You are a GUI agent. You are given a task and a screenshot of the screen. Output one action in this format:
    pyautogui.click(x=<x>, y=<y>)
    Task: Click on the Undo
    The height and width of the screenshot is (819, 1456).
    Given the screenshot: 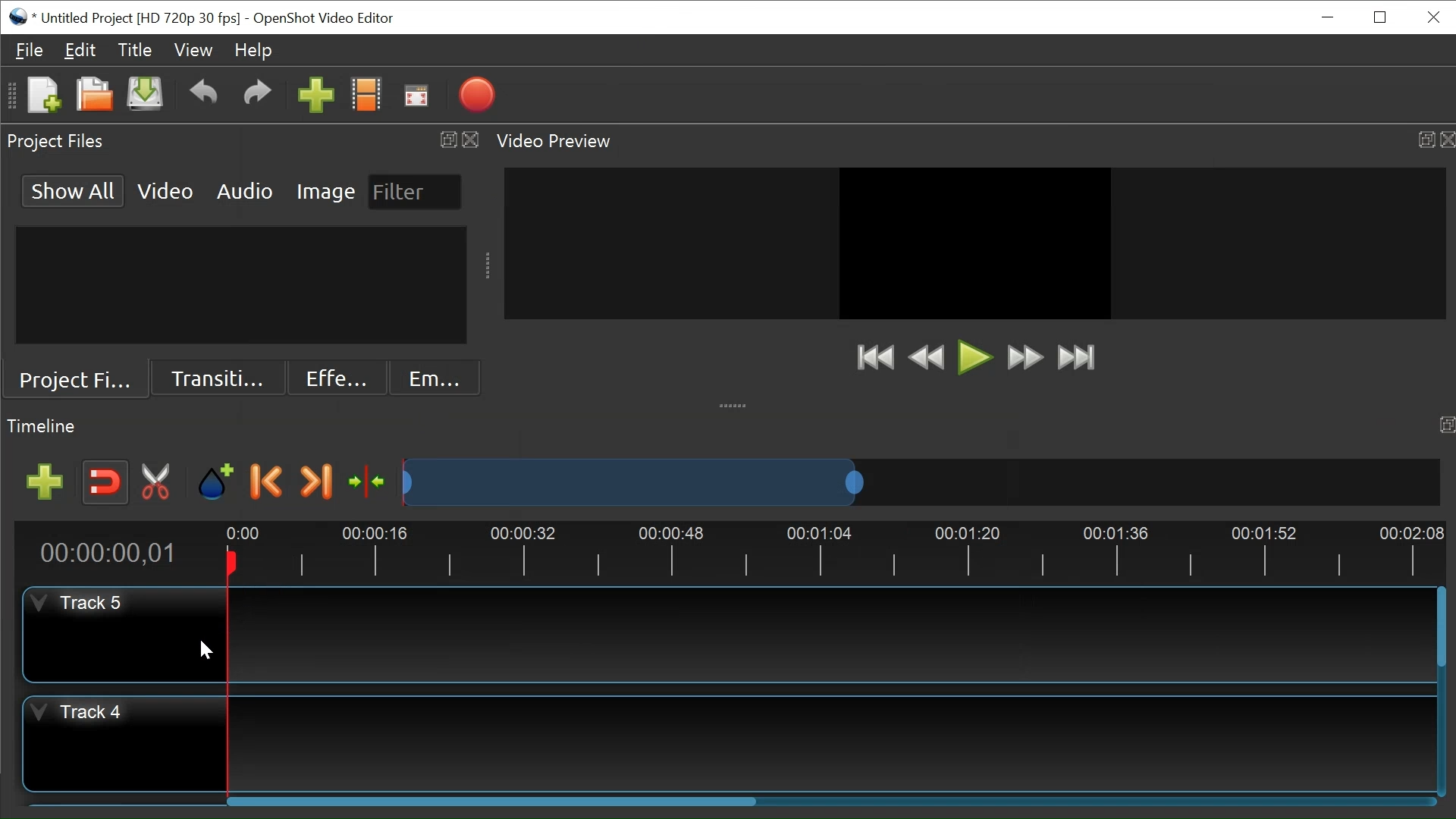 What is the action you would take?
    pyautogui.click(x=202, y=96)
    